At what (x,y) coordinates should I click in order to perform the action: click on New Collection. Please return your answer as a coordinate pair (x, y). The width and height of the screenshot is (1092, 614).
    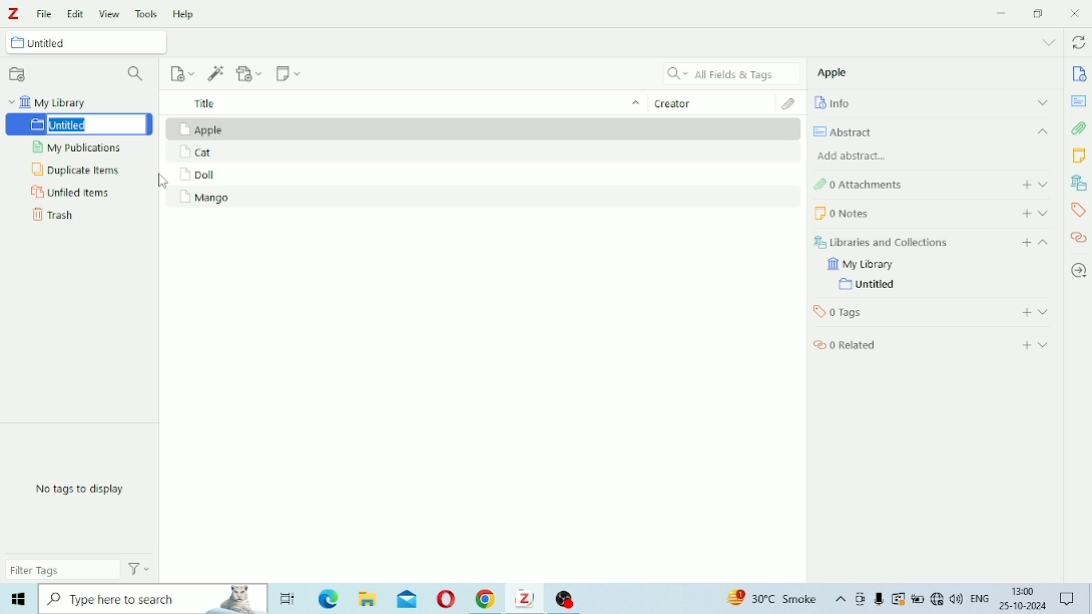
    Looking at the image, I should click on (19, 73).